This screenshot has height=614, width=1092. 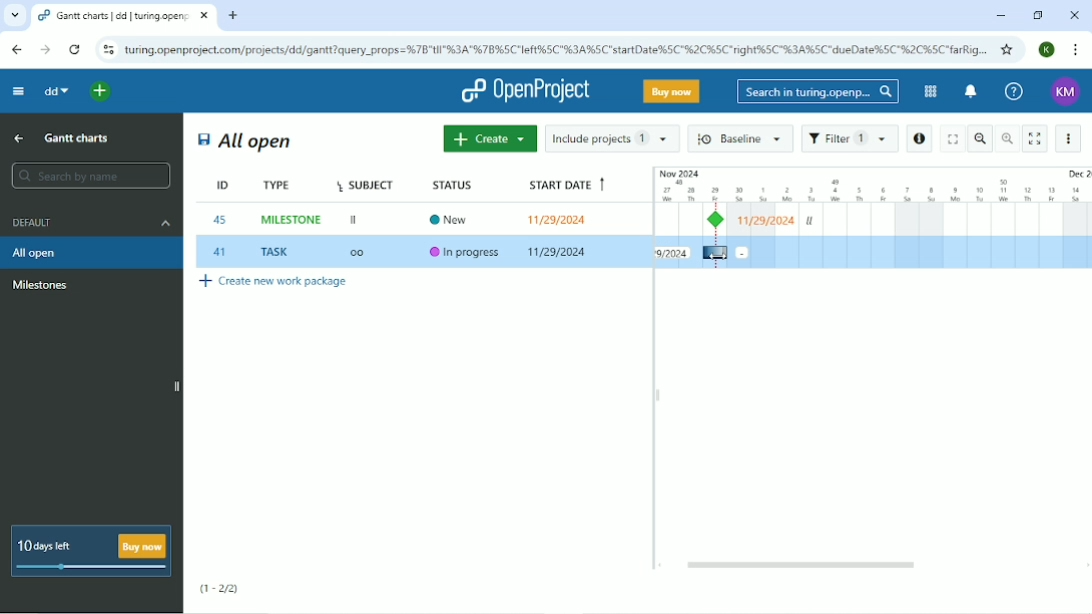 I want to click on Bookmark this tab, so click(x=1008, y=49).